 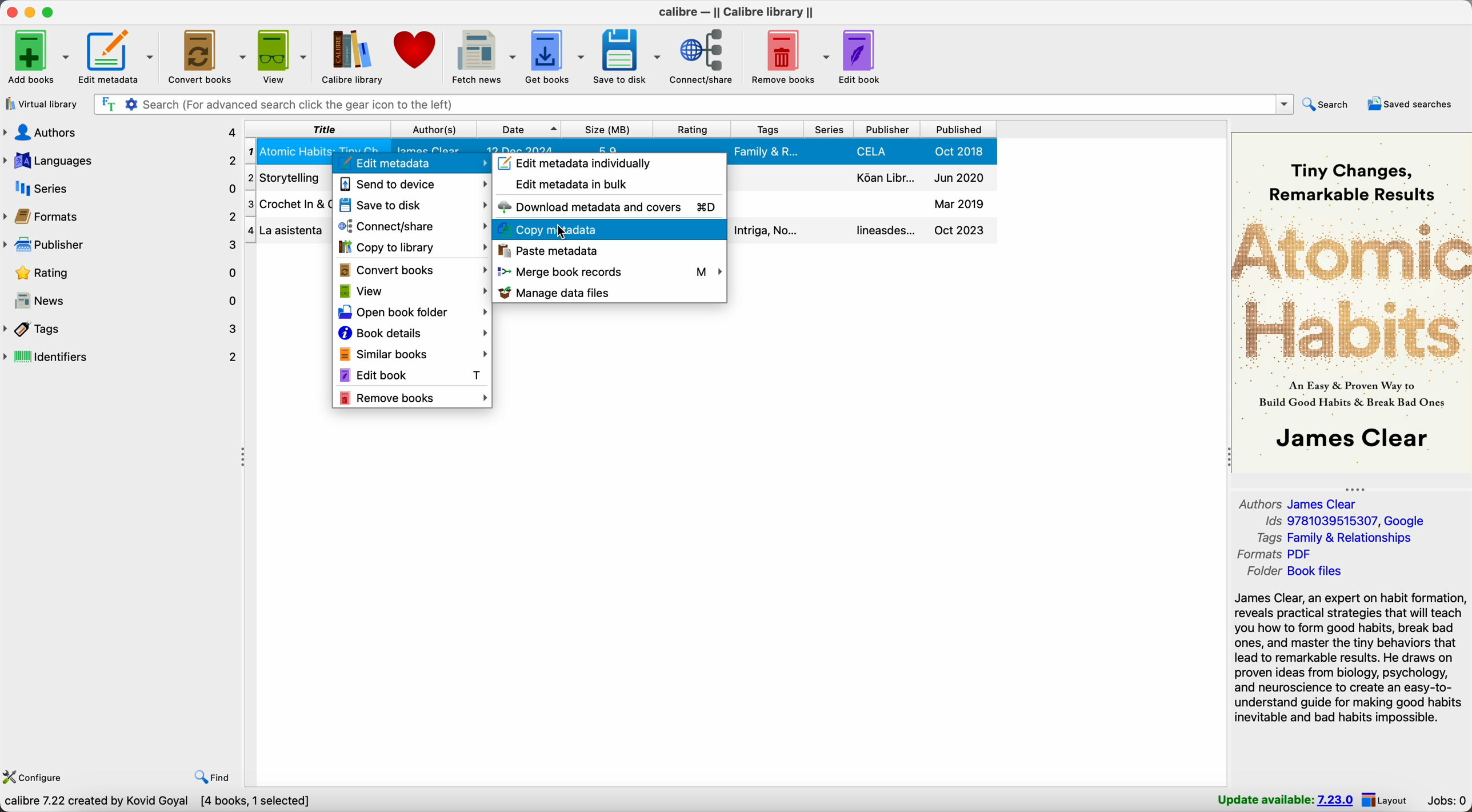 I want to click on minimize calibre, so click(x=30, y=13).